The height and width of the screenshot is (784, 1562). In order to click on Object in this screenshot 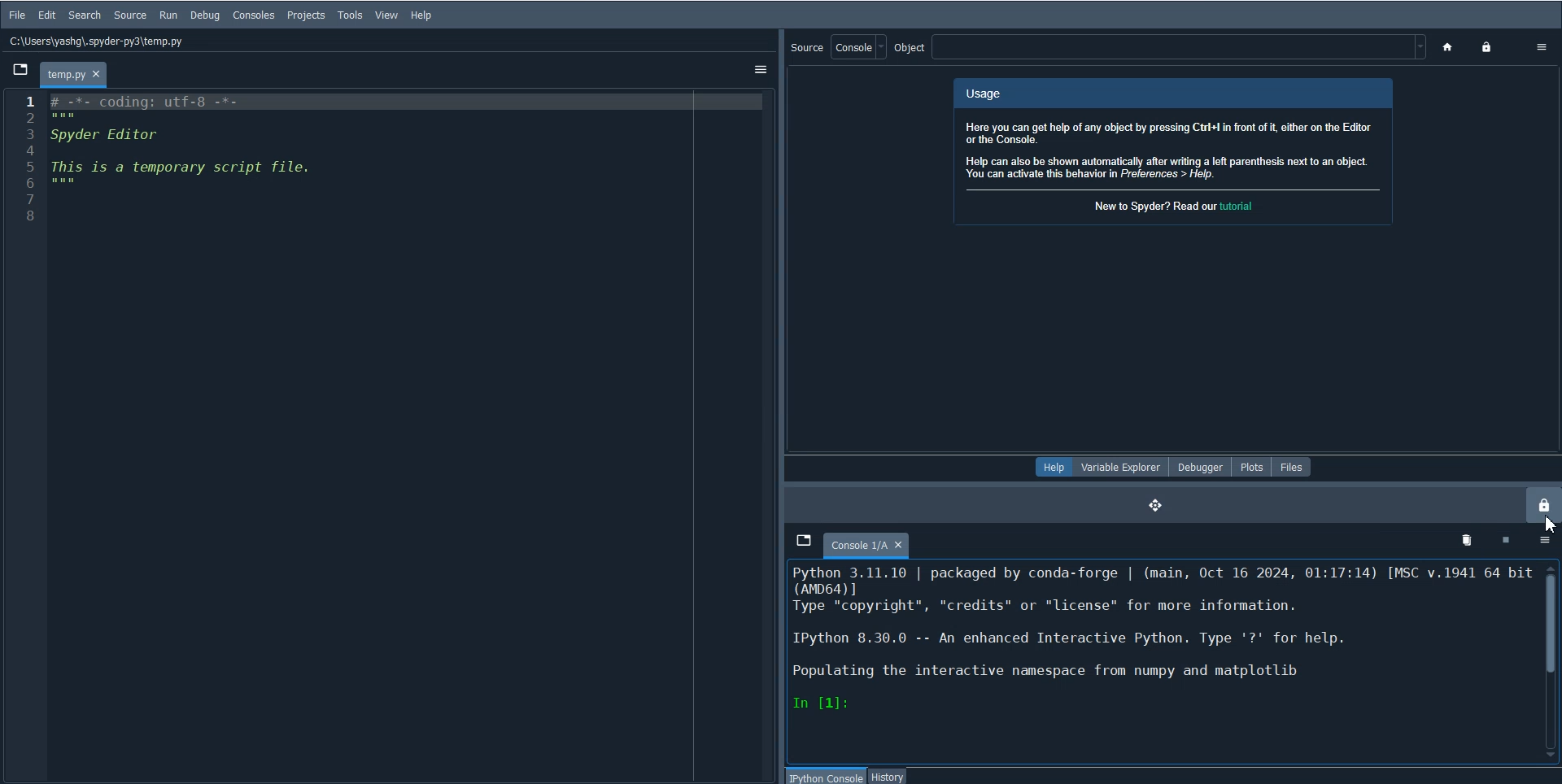, I will do `click(1159, 47)`.